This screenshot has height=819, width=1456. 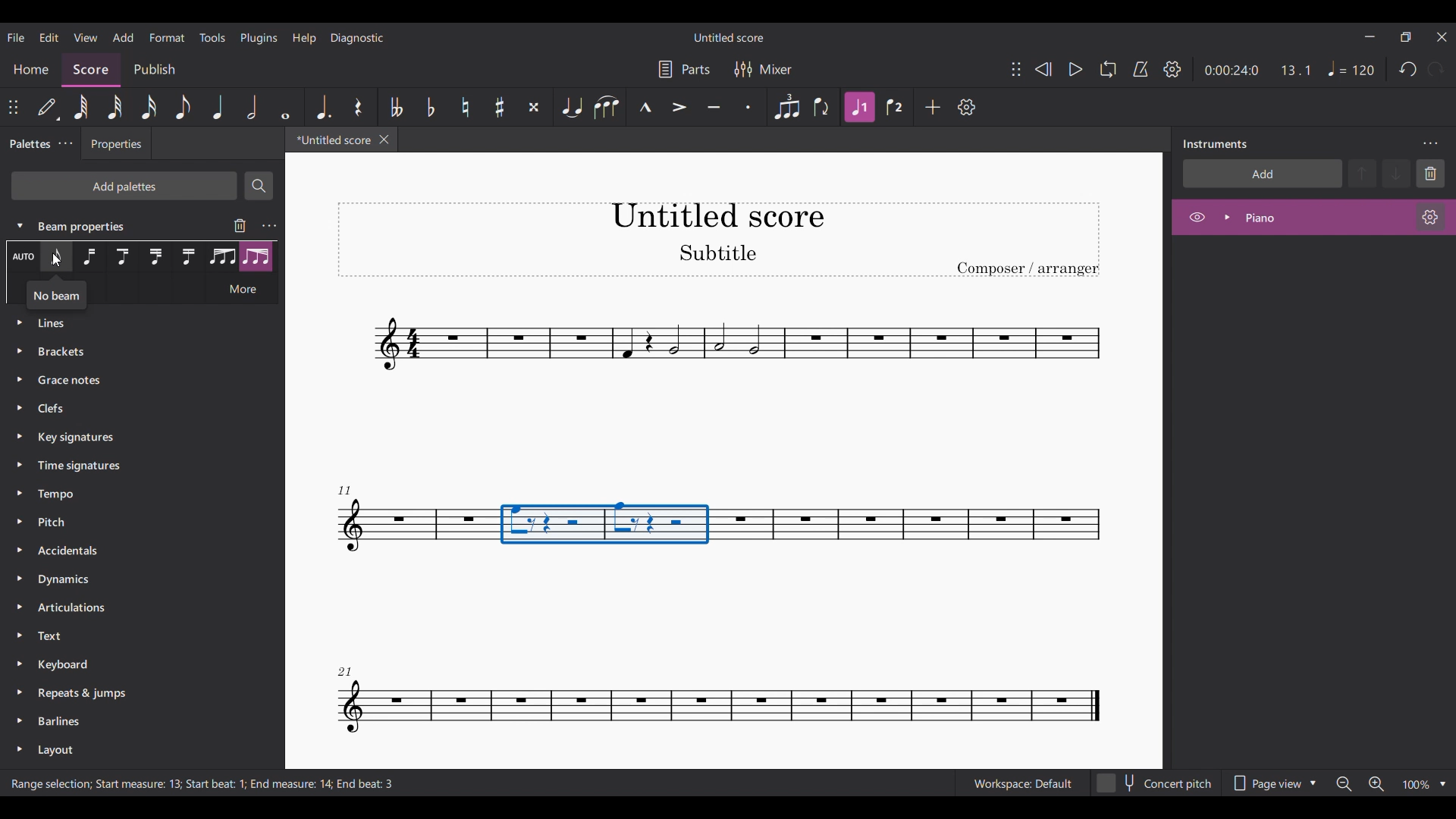 I want to click on Play, so click(x=1075, y=69).